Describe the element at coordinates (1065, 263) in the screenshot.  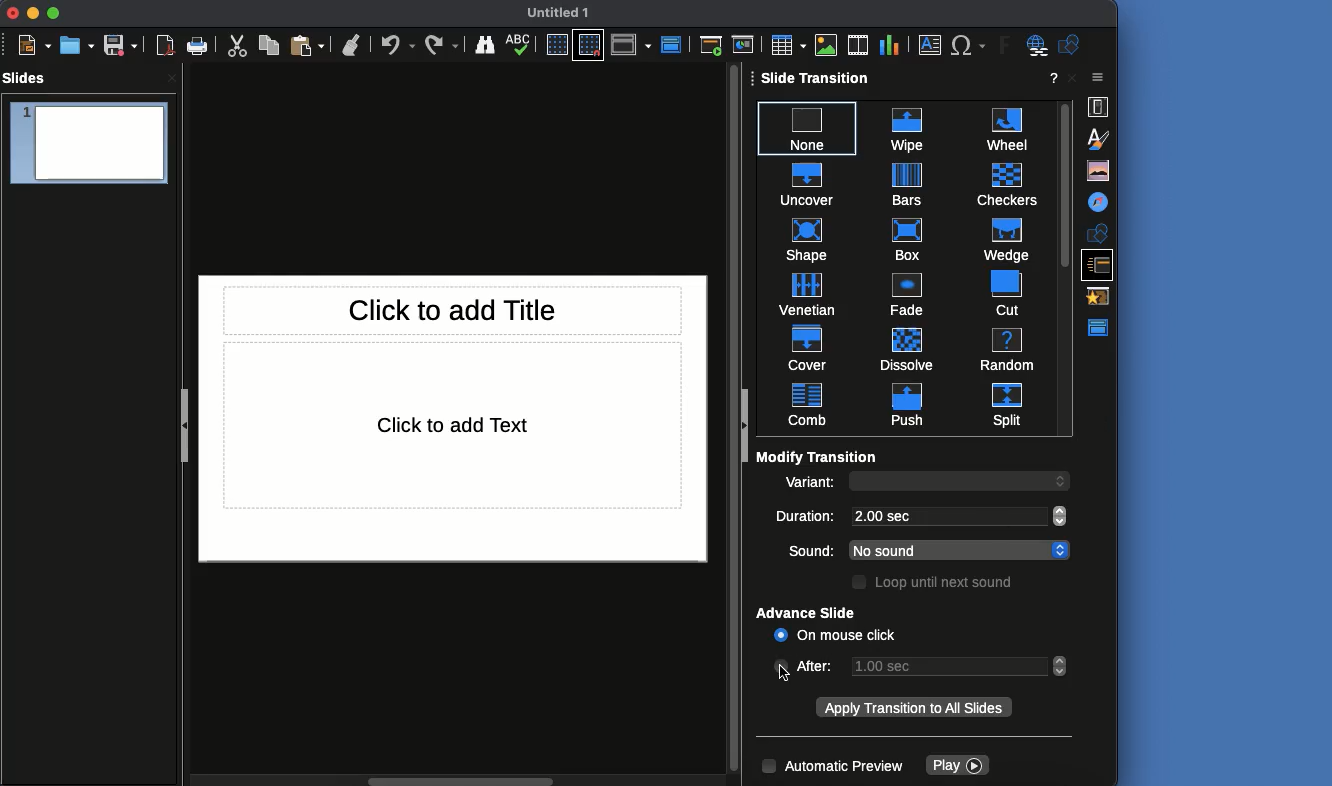
I see `Scroll` at that location.